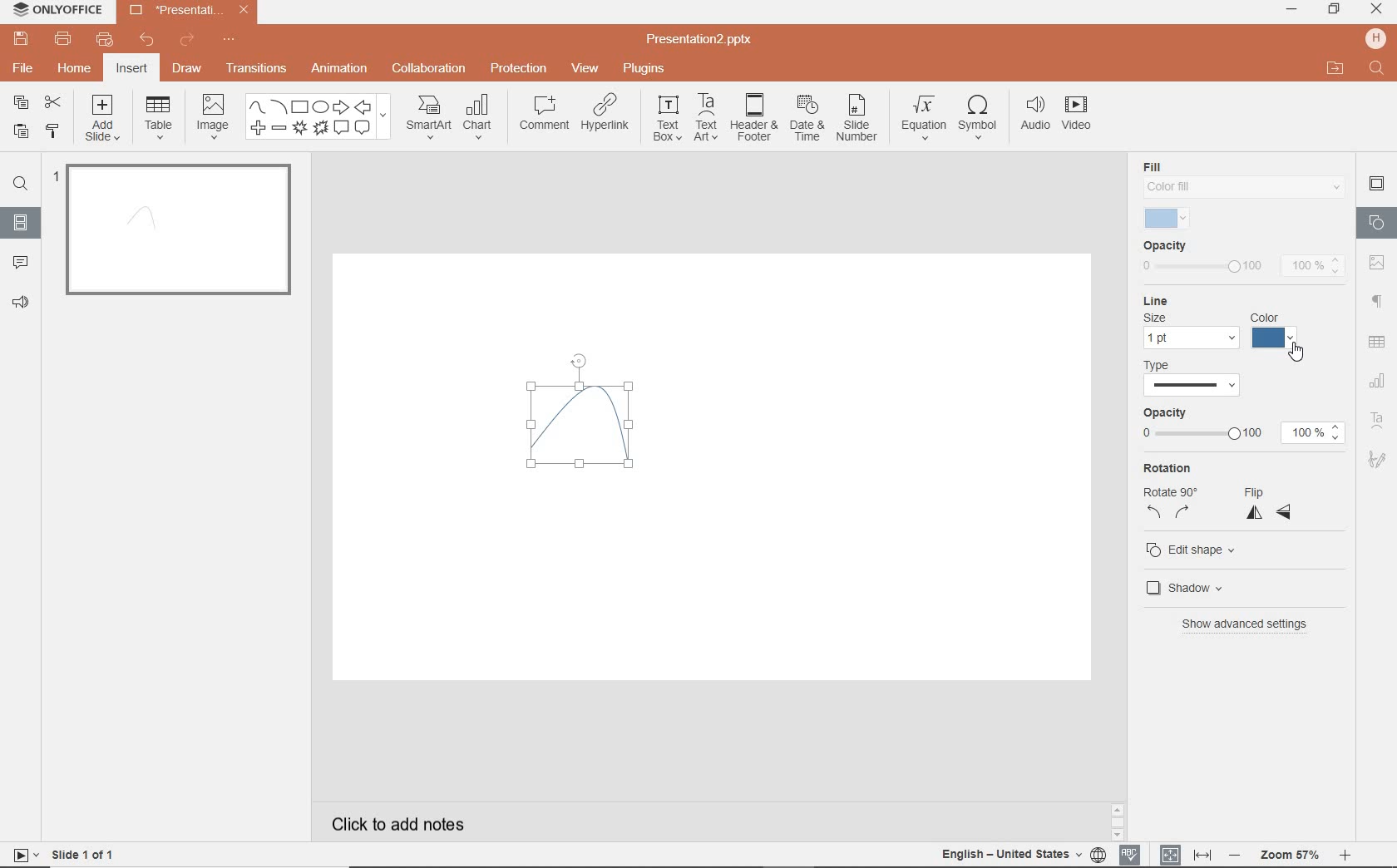 This screenshot has height=868, width=1397. I want to click on opacity, so click(1201, 259).